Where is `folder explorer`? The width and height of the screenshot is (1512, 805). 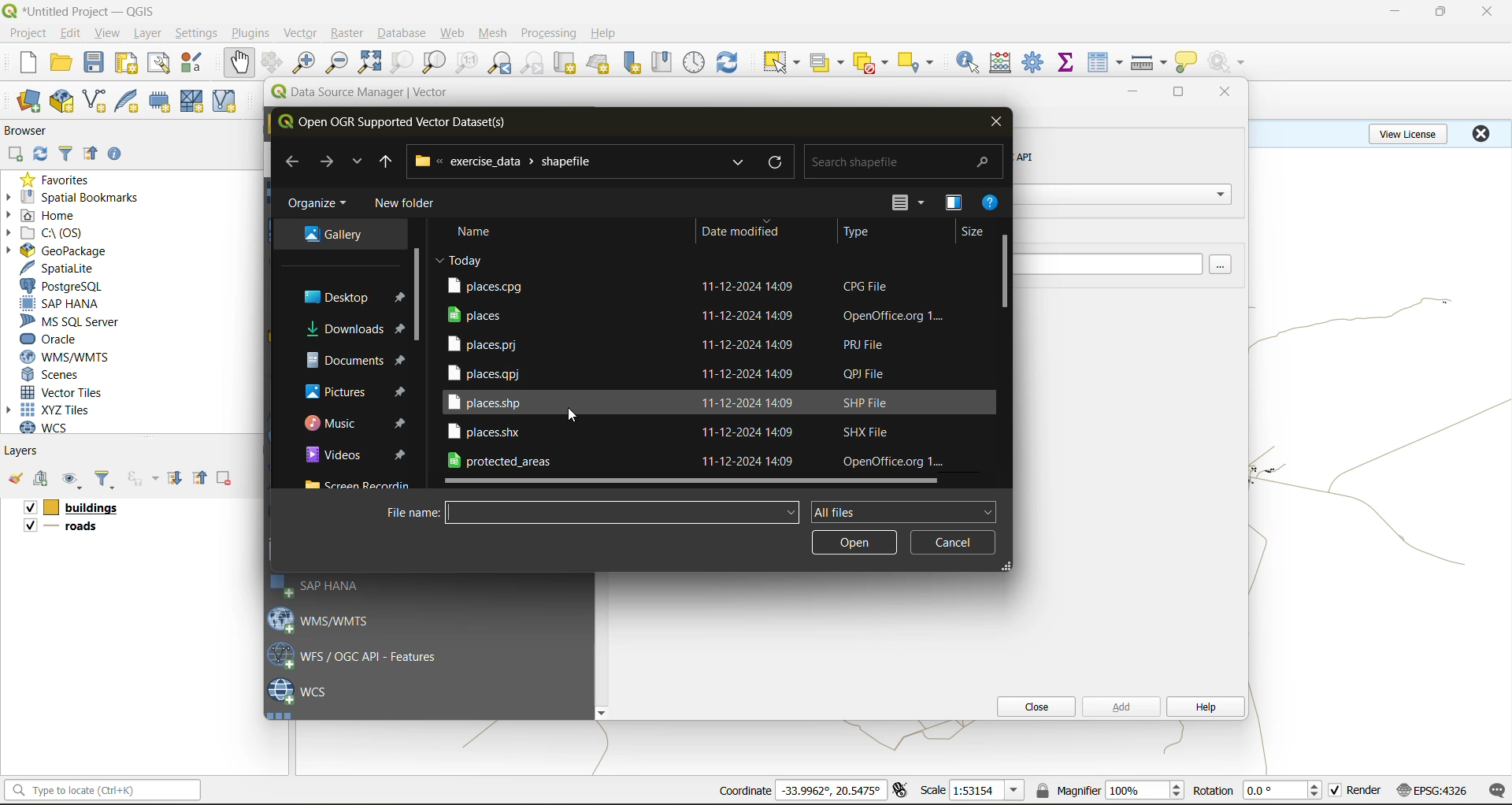 folder explorer is located at coordinates (357, 424).